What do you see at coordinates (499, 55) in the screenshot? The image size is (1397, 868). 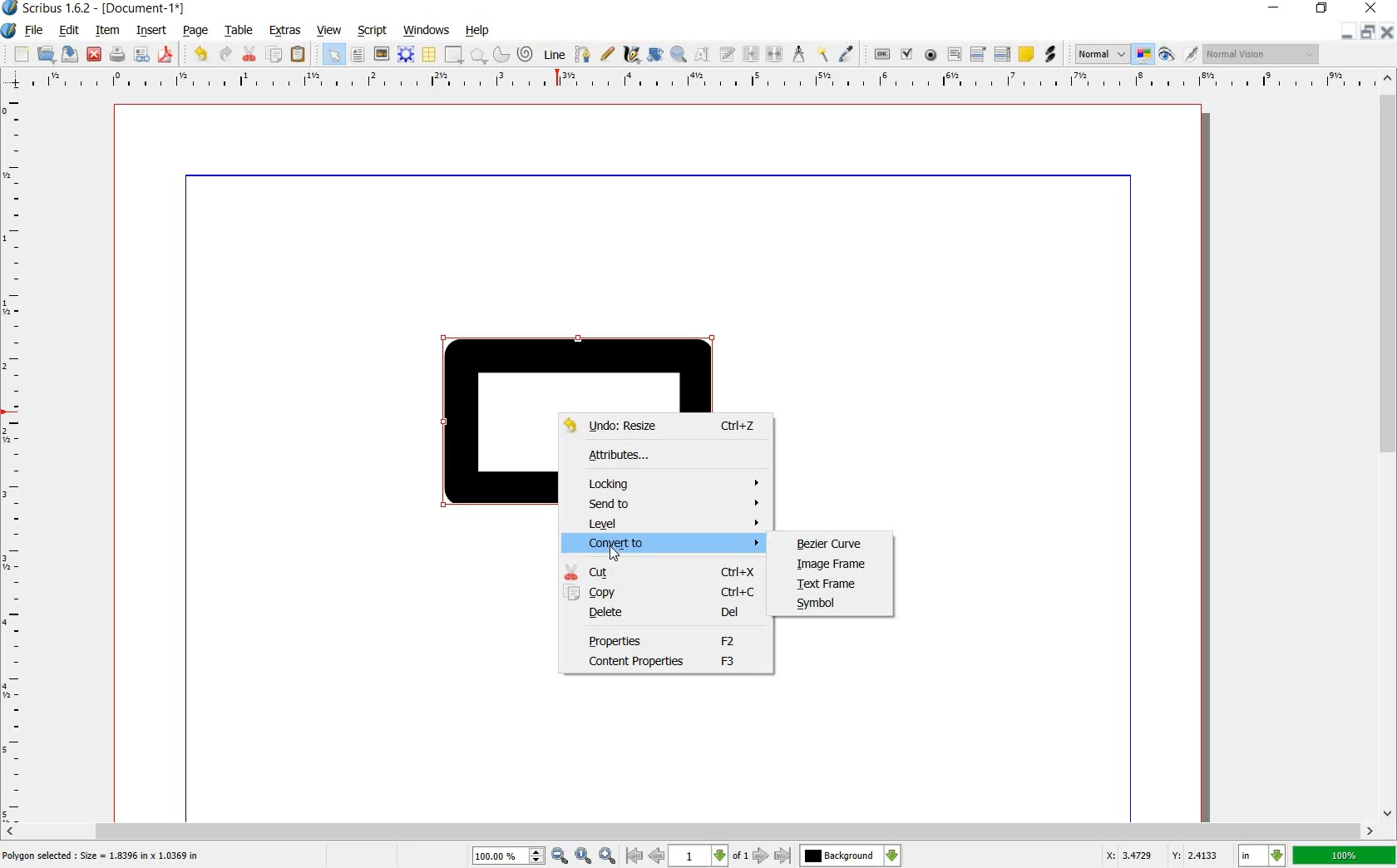 I see `arc` at bounding box center [499, 55].